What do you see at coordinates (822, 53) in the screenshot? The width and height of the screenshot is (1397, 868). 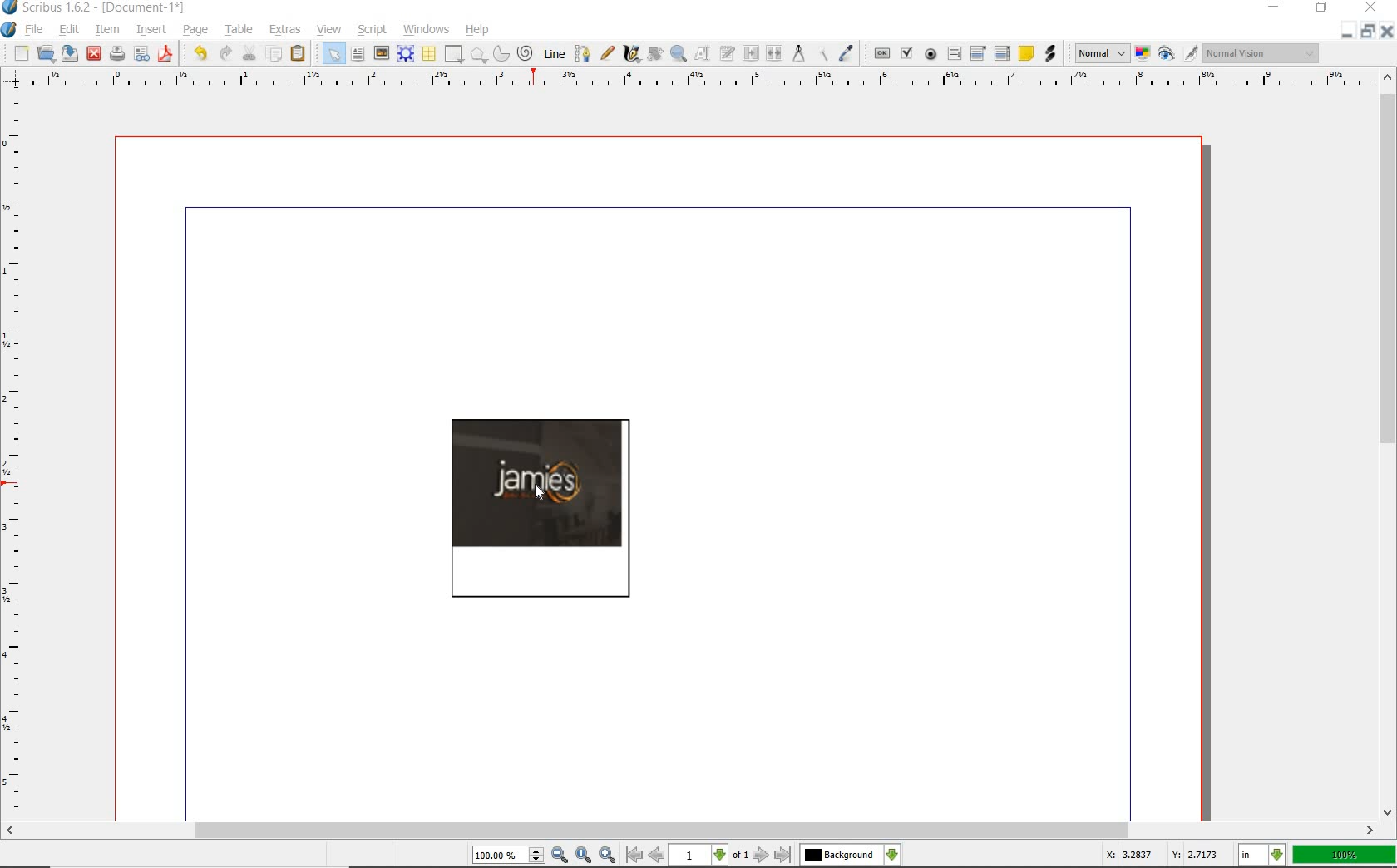 I see `copy item properties` at bounding box center [822, 53].